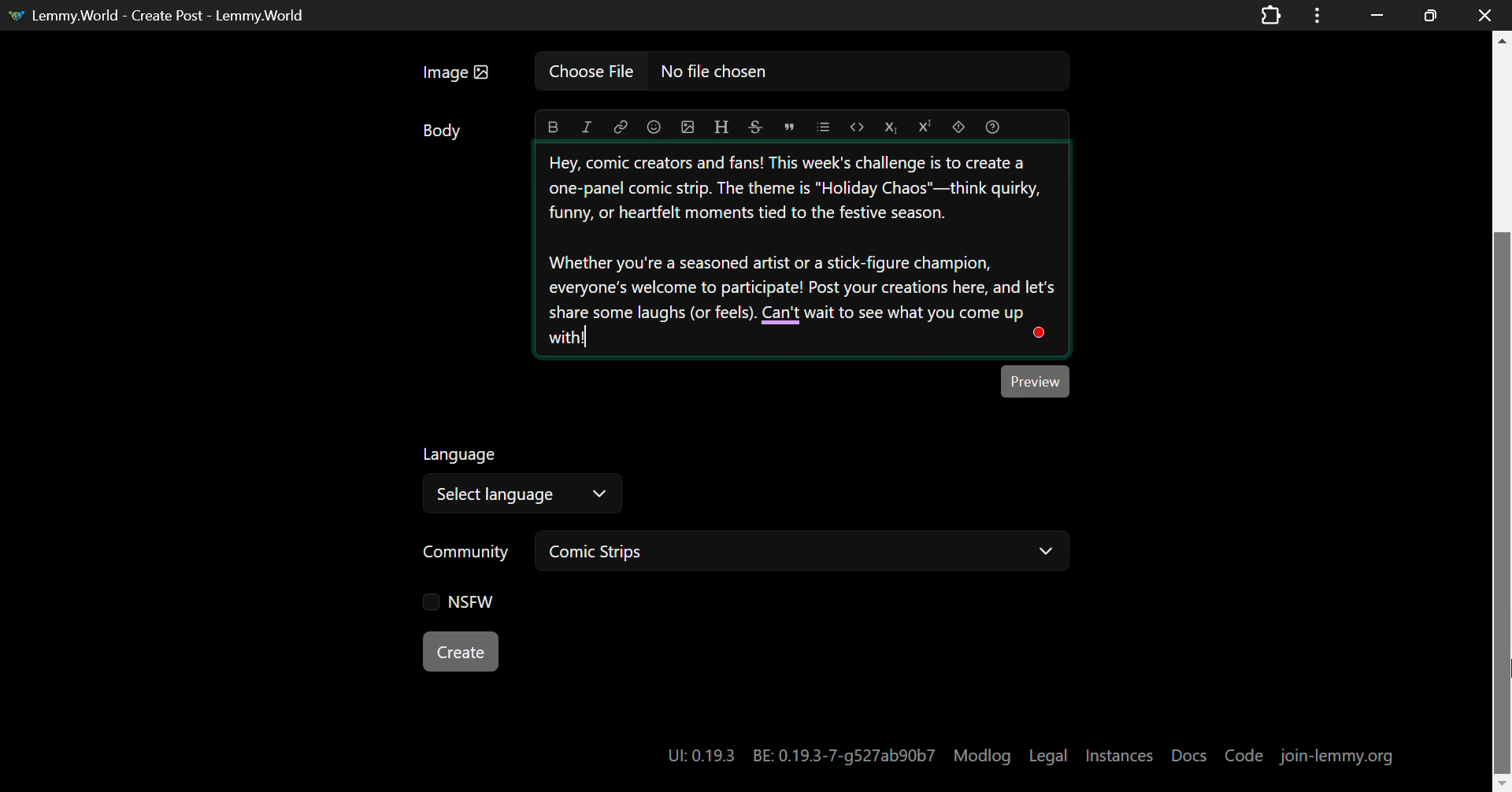 The image size is (1512, 792). I want to click on italic, so click(587, 128).